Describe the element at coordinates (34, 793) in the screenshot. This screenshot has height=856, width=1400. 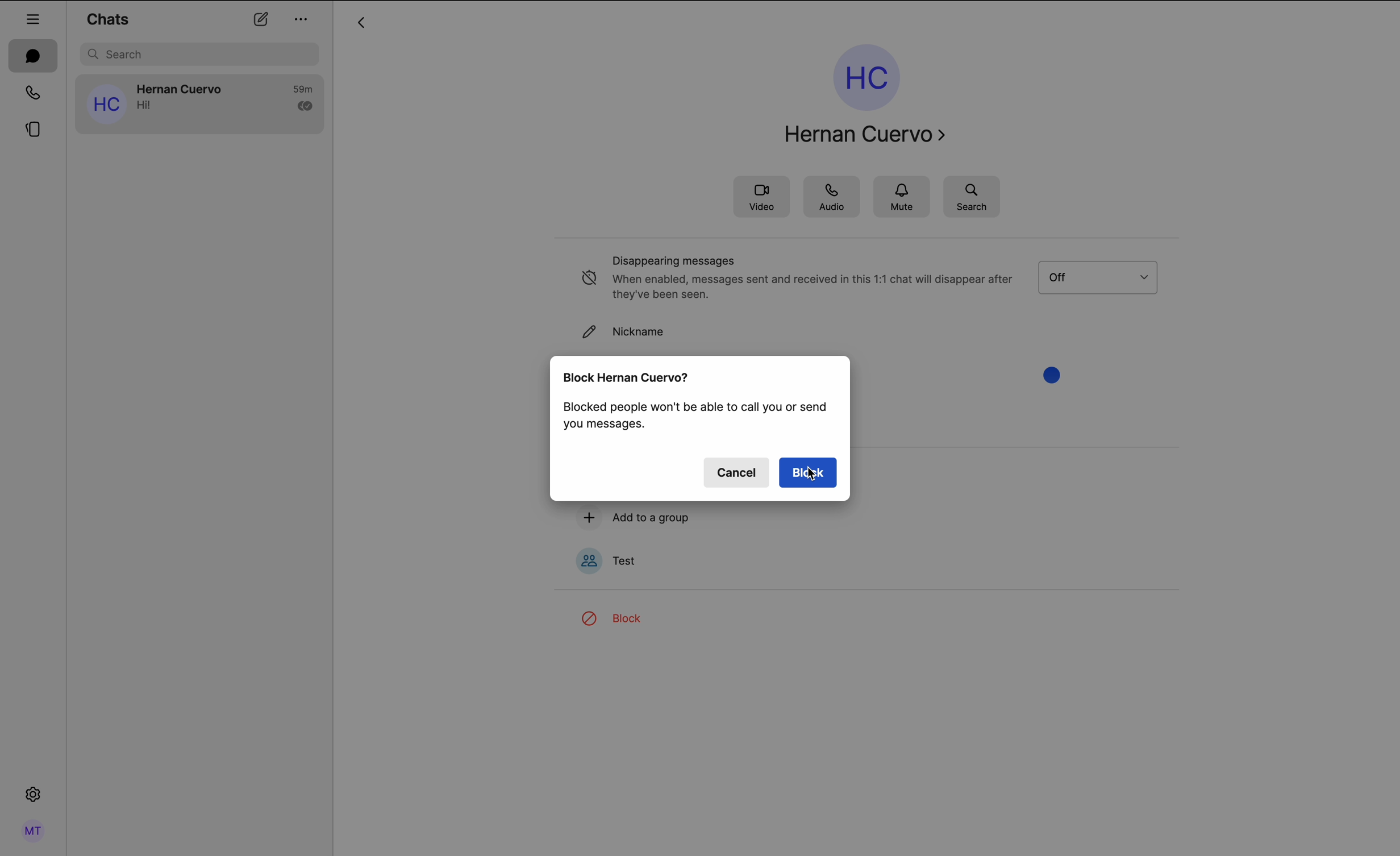
I see `settings` at that location.